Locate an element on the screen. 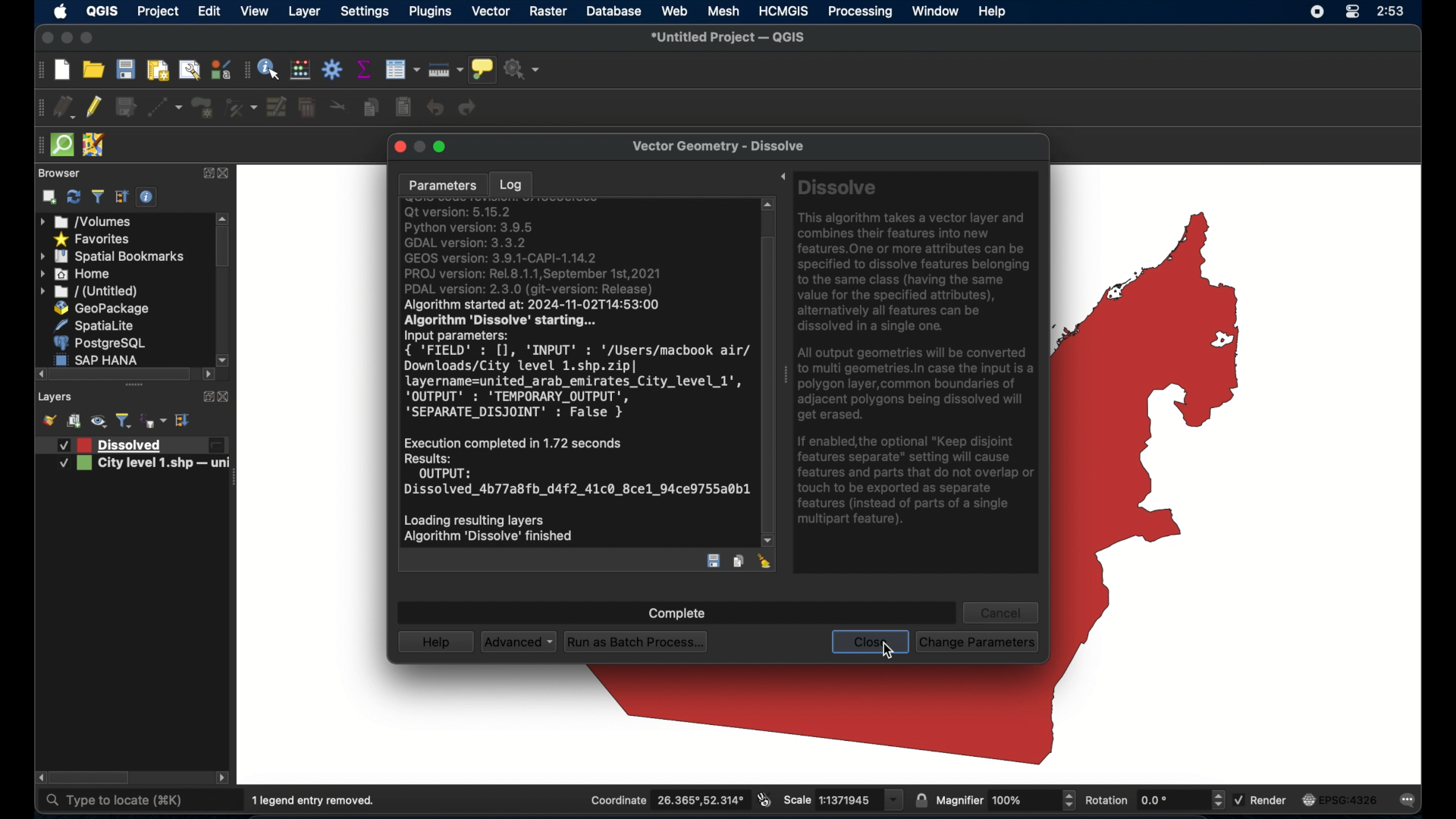 Image resolution: width=1456 pixels, height=819 pixels. save project is located at coordinates (127, 70).